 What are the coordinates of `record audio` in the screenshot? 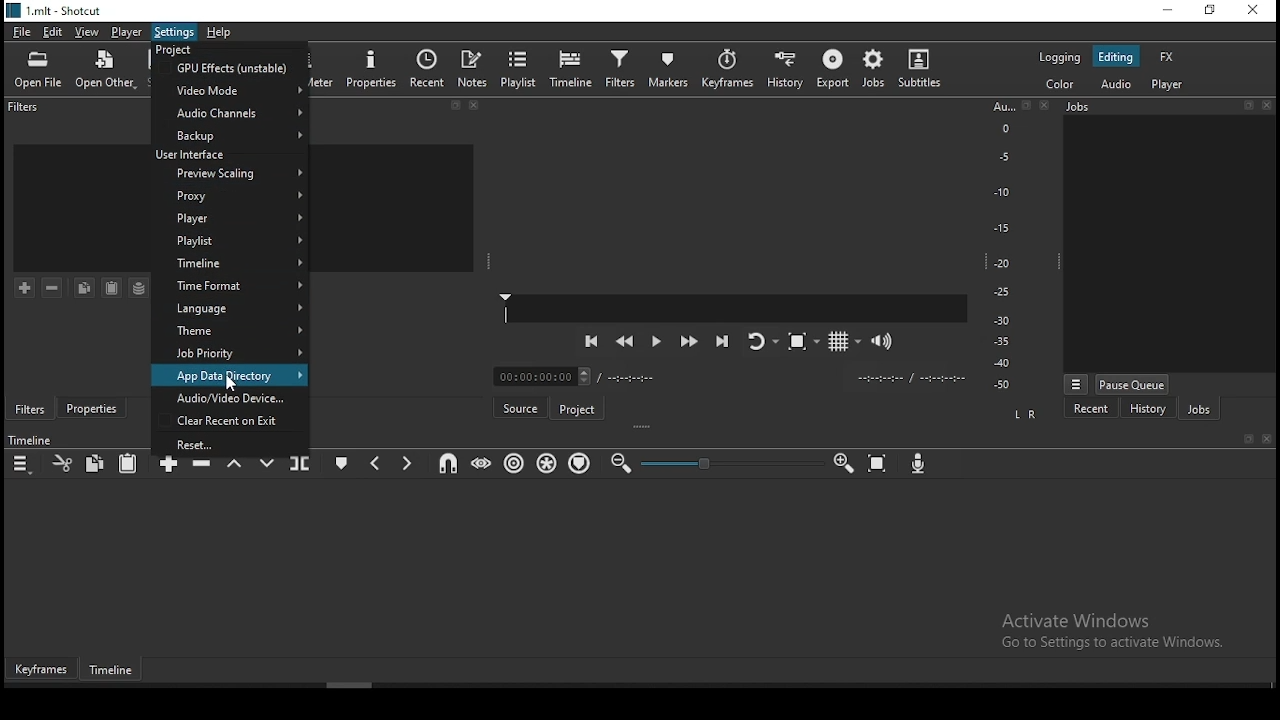 It's located at (919, 465).